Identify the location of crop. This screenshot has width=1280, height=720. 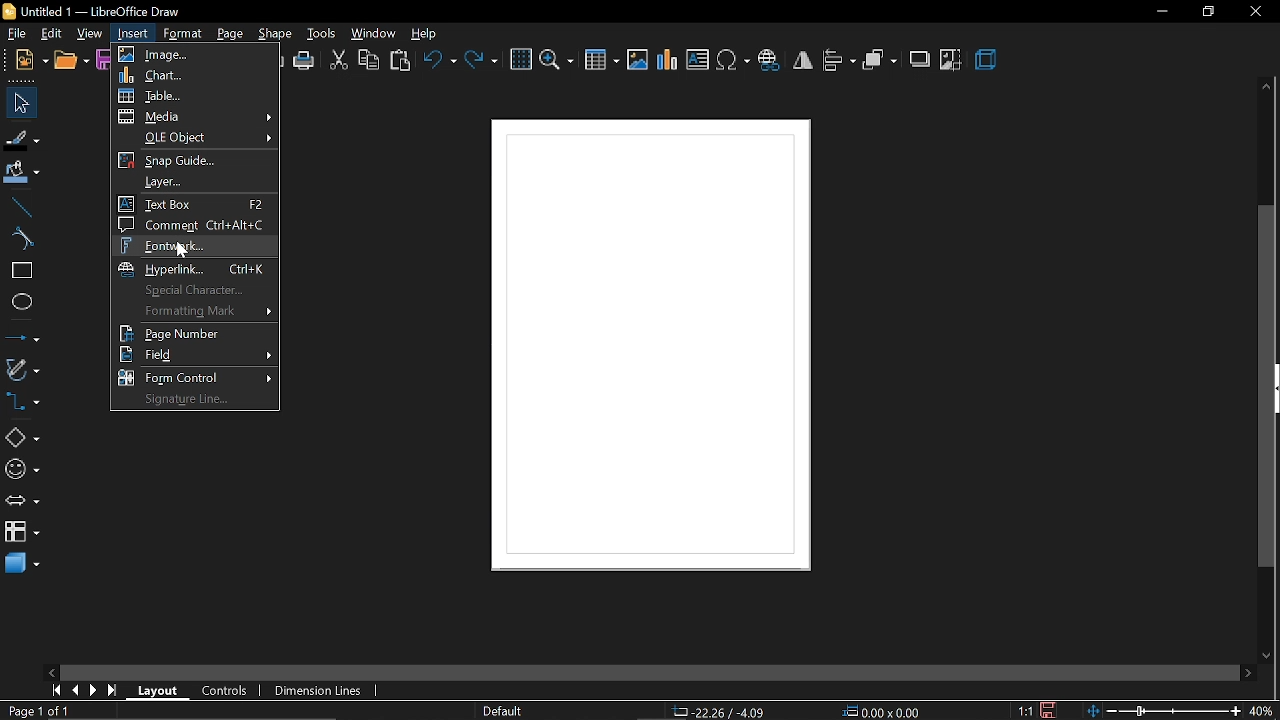
(950, 61).